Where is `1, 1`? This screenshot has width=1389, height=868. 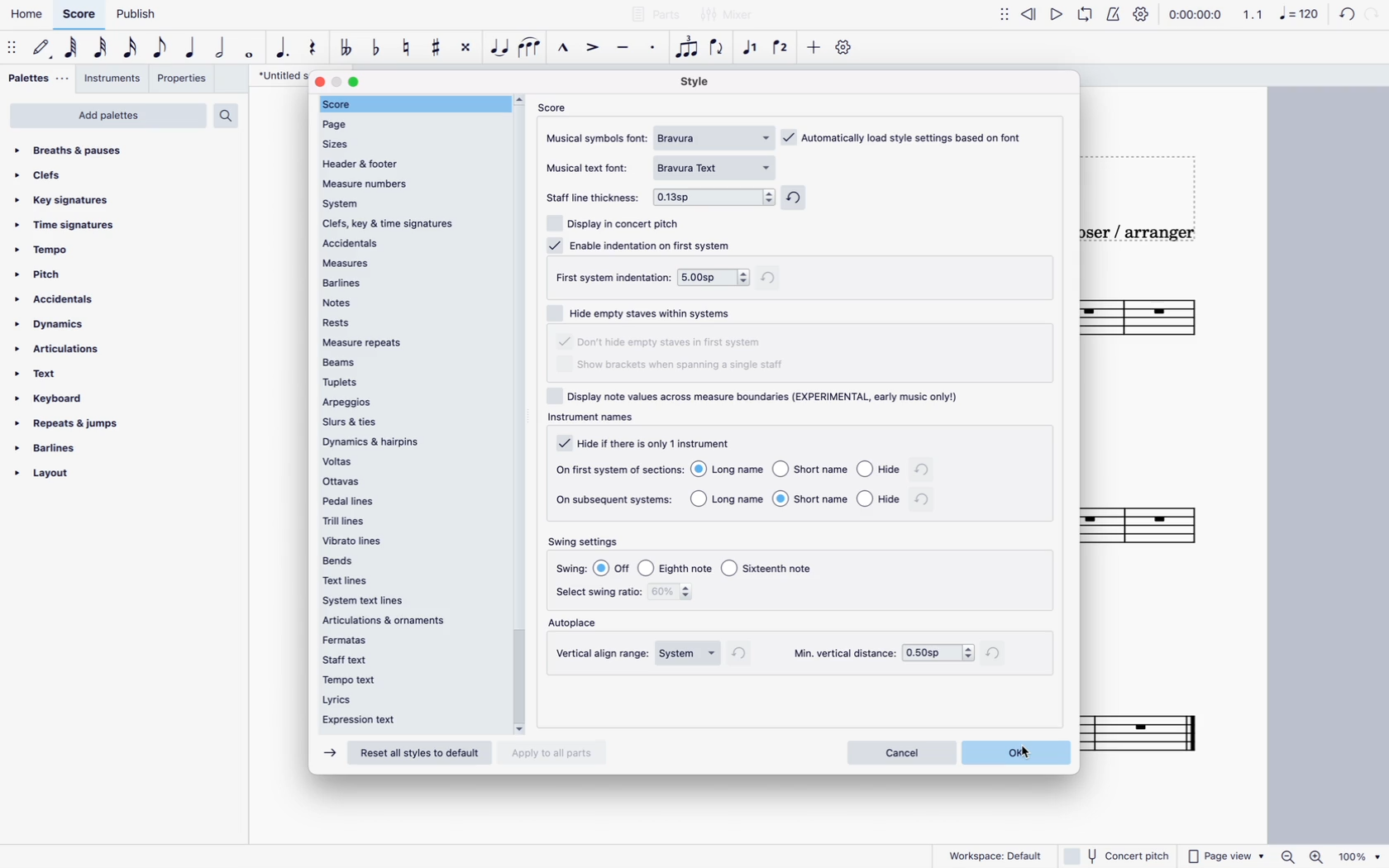
1, 1 is located at coordinates (1256, 13).